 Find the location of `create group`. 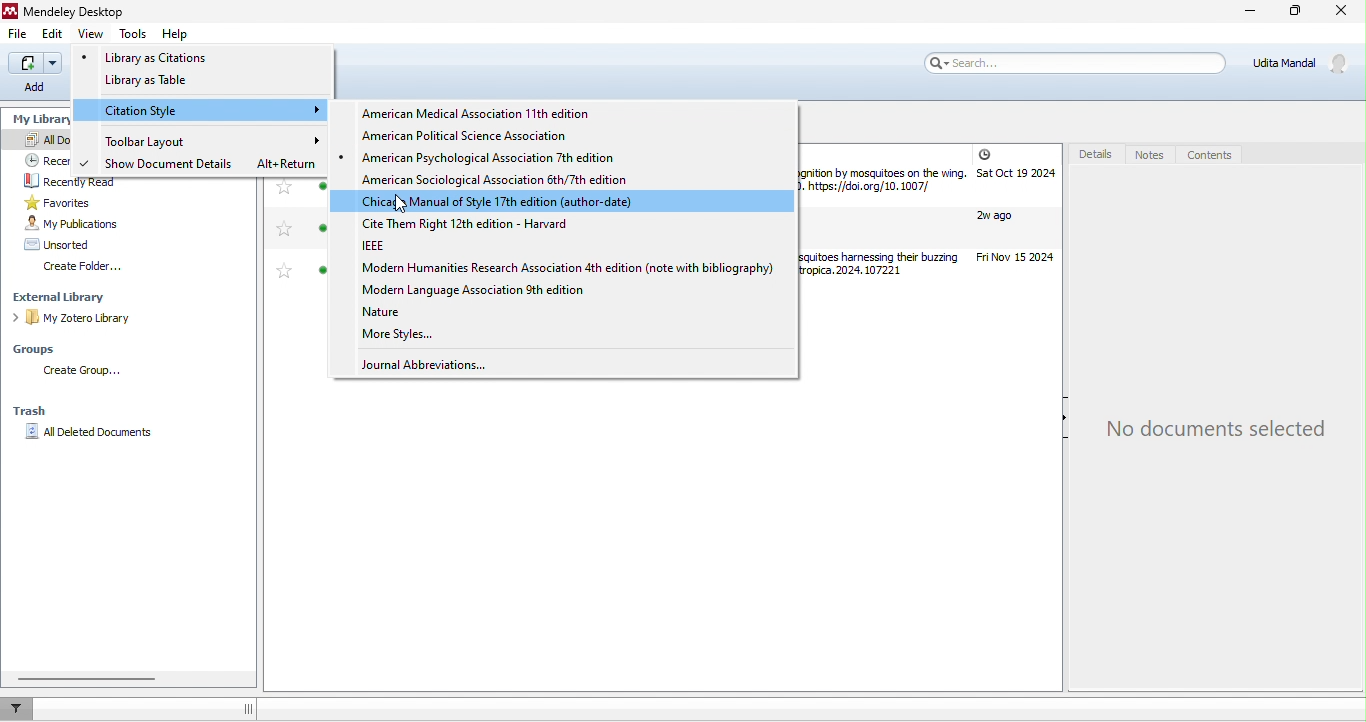

create group is located at coordinates (88, 373).